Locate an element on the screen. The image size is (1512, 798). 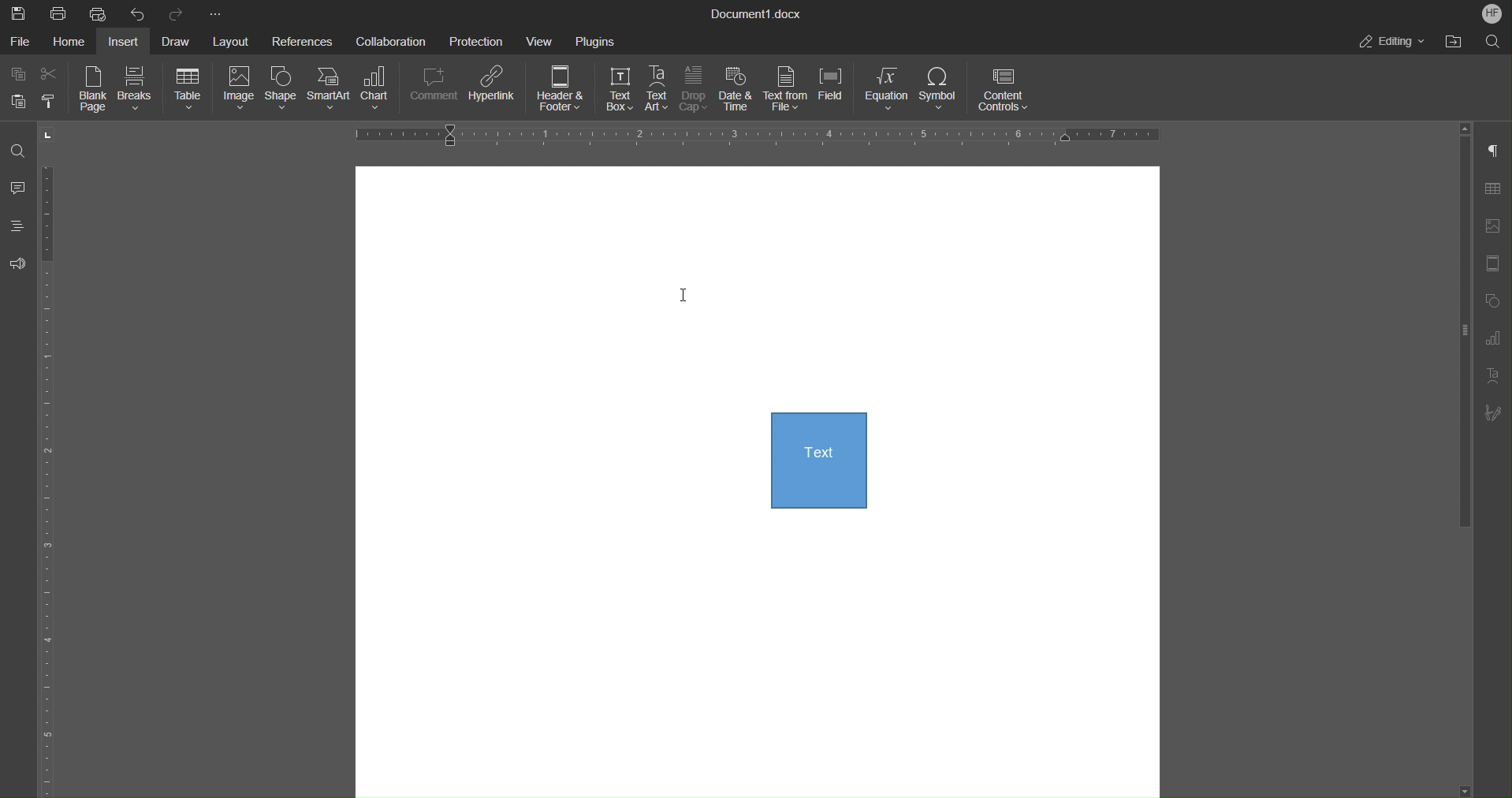
Editing is located at coordinates (1393, 42).